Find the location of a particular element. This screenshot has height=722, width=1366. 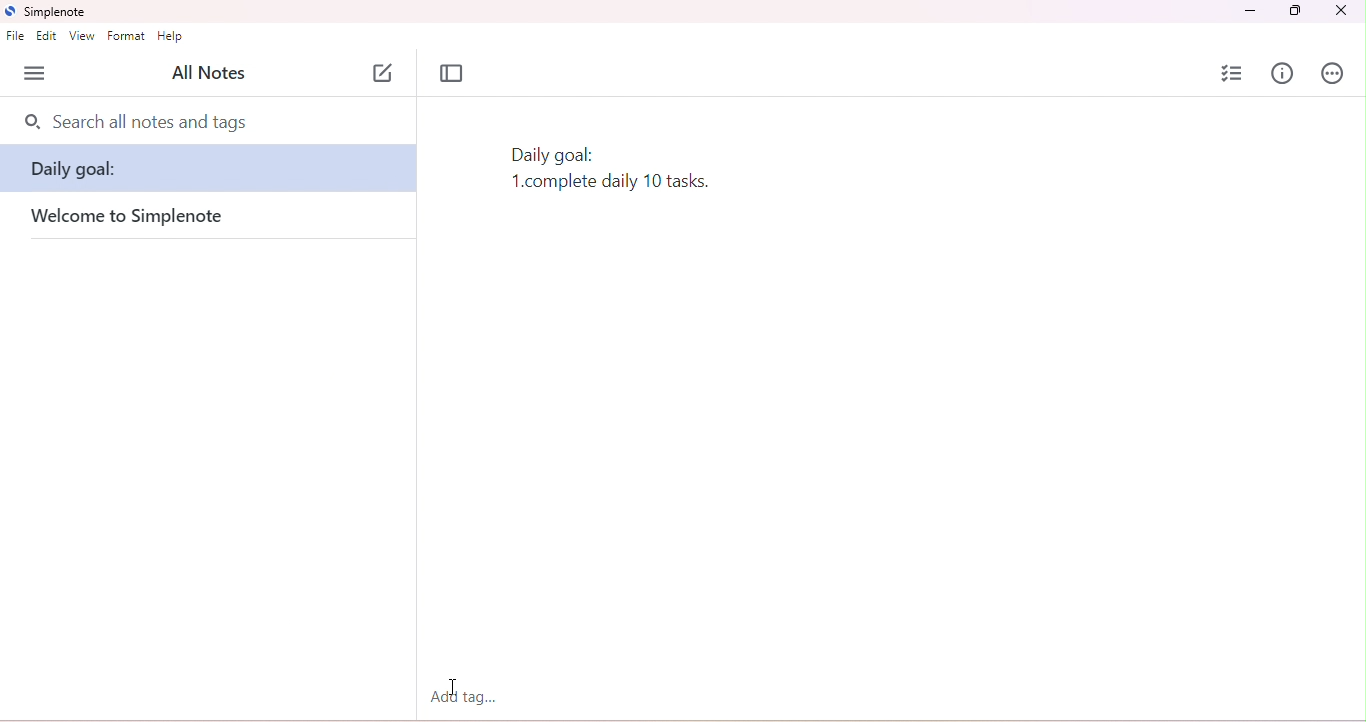

view is located at coordinates (83, 36).